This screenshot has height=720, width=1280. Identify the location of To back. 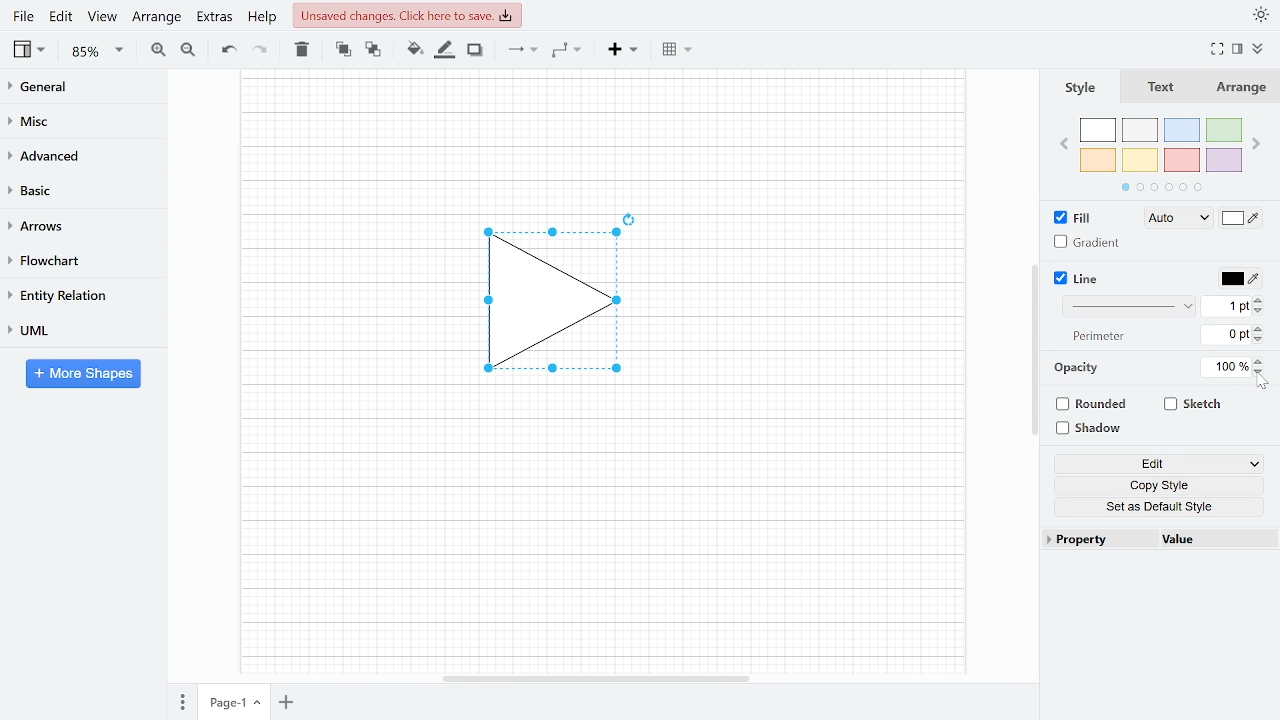
(371, 48).